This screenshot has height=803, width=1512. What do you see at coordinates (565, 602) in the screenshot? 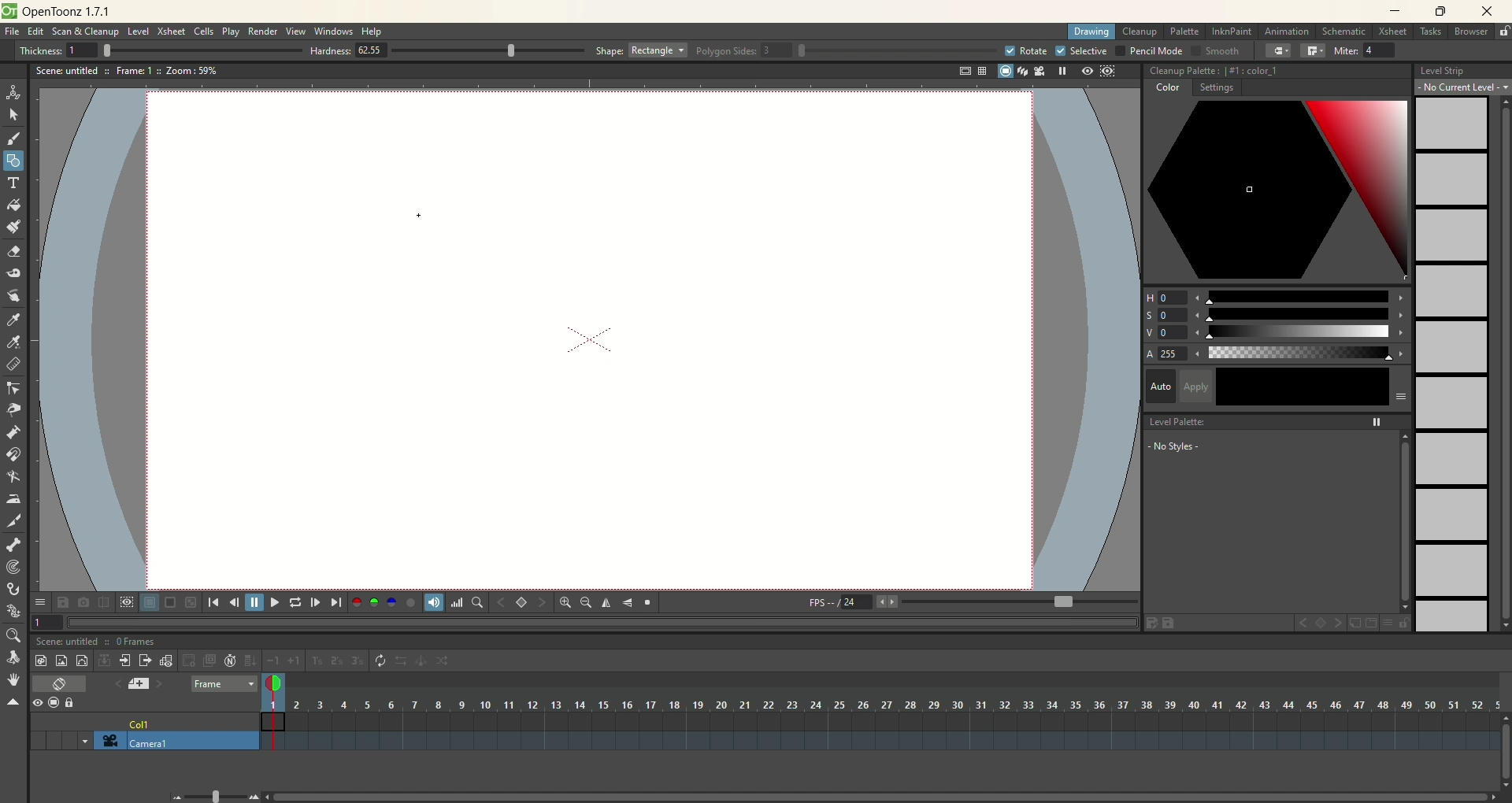
I see `zoom in` at bounding box center [565, 602].